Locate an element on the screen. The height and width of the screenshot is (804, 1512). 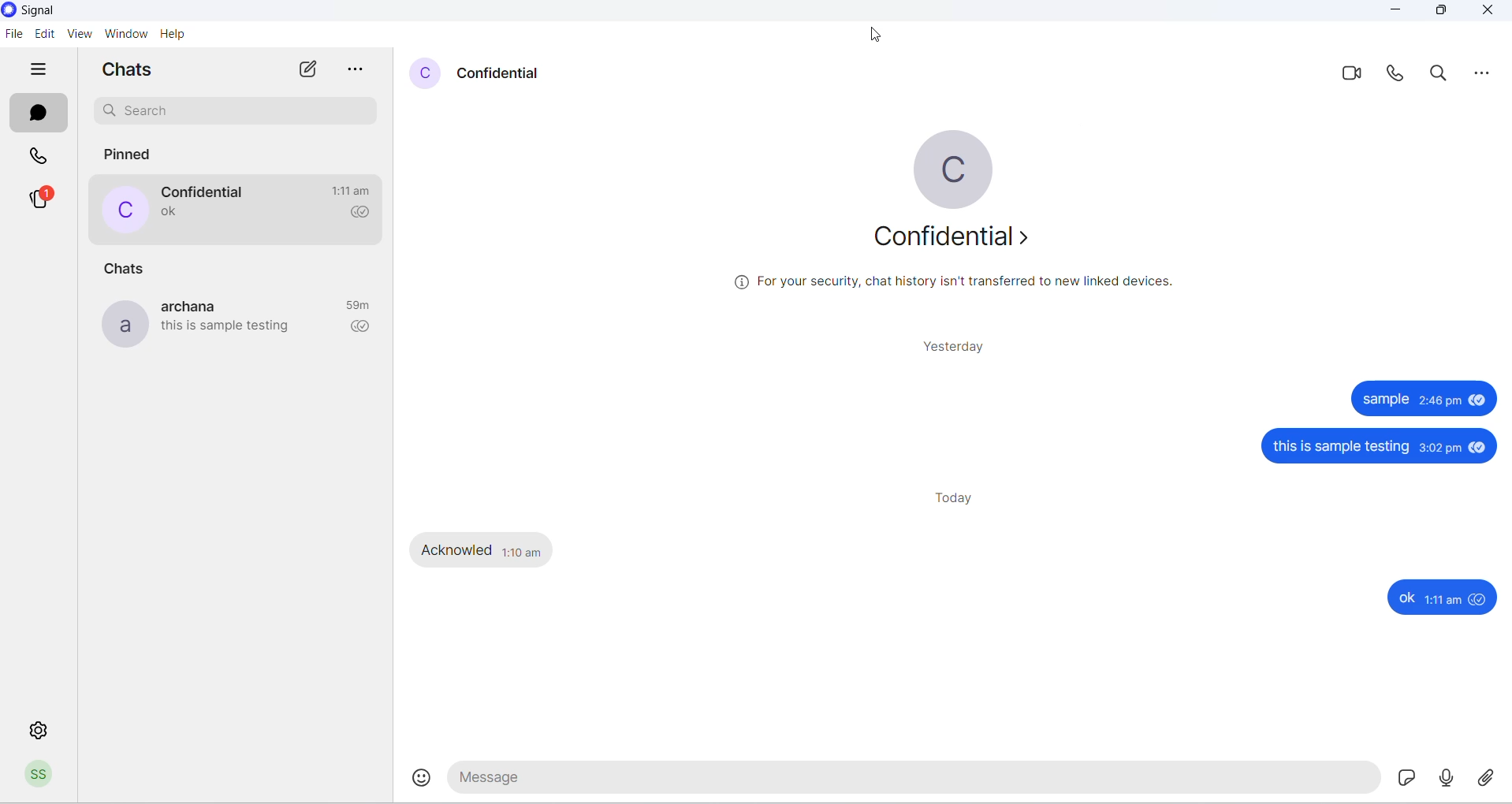
about contact is located at coordinates (957, 243).